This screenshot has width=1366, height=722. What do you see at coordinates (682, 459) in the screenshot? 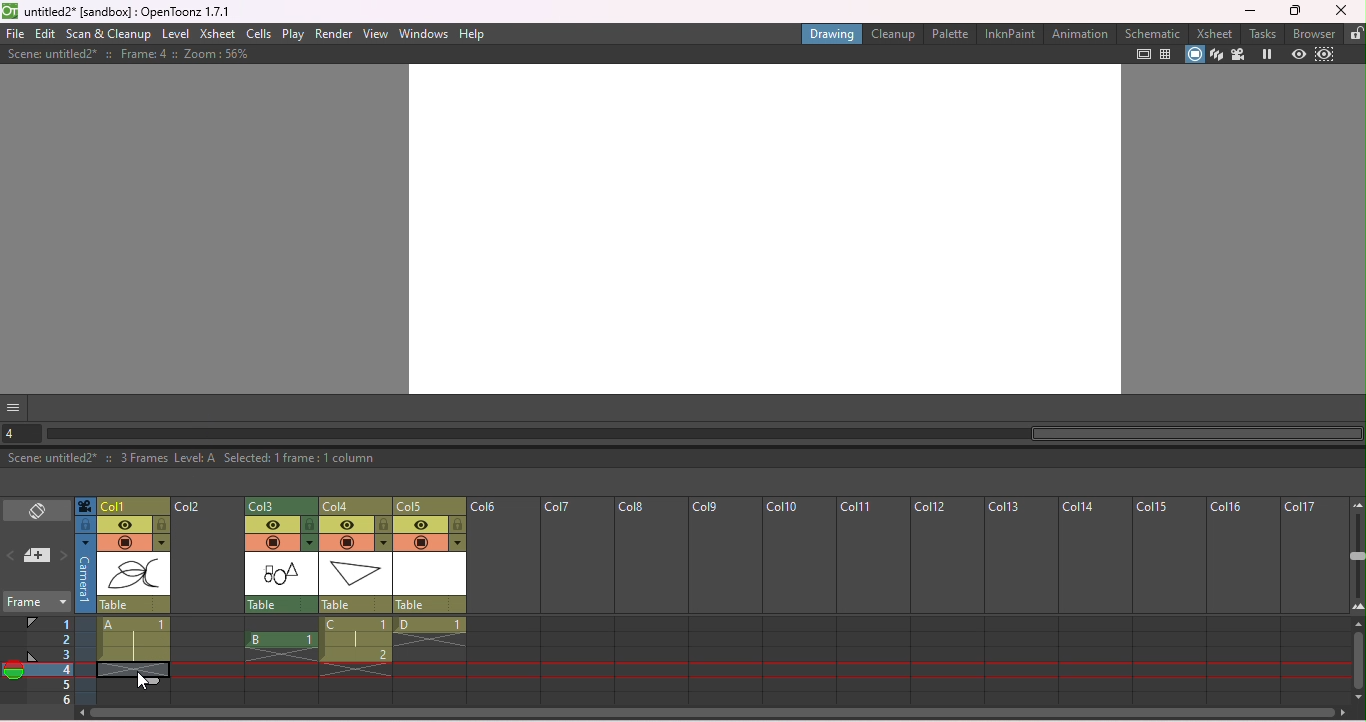
I see `Scene: untitled2* :: 3 Frames Level: A Selected: 1 frame: 1 column` at bounding box center [682, 459].